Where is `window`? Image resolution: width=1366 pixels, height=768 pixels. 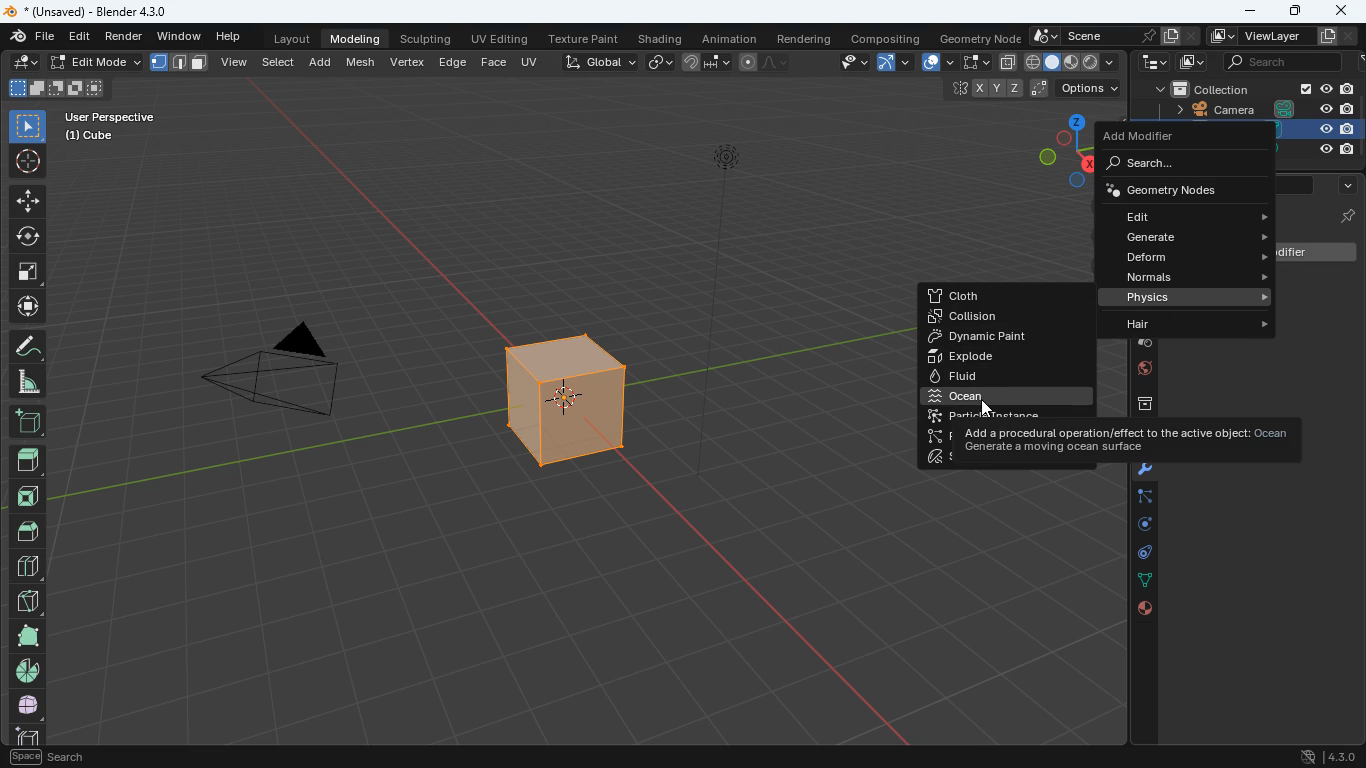
window is located at coordinates (181, 34).